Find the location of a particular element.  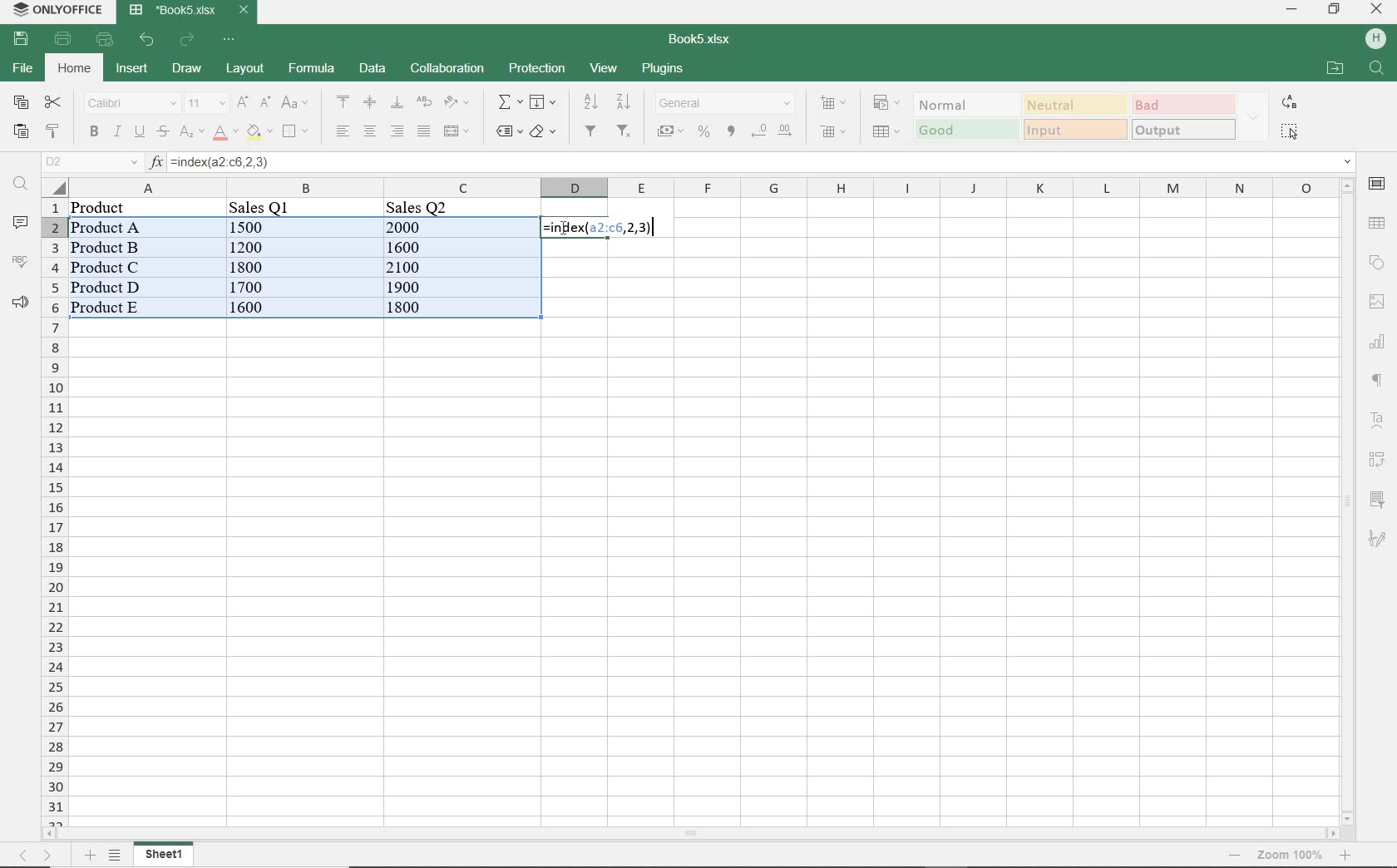

align left is located at coordinates (397, 131).